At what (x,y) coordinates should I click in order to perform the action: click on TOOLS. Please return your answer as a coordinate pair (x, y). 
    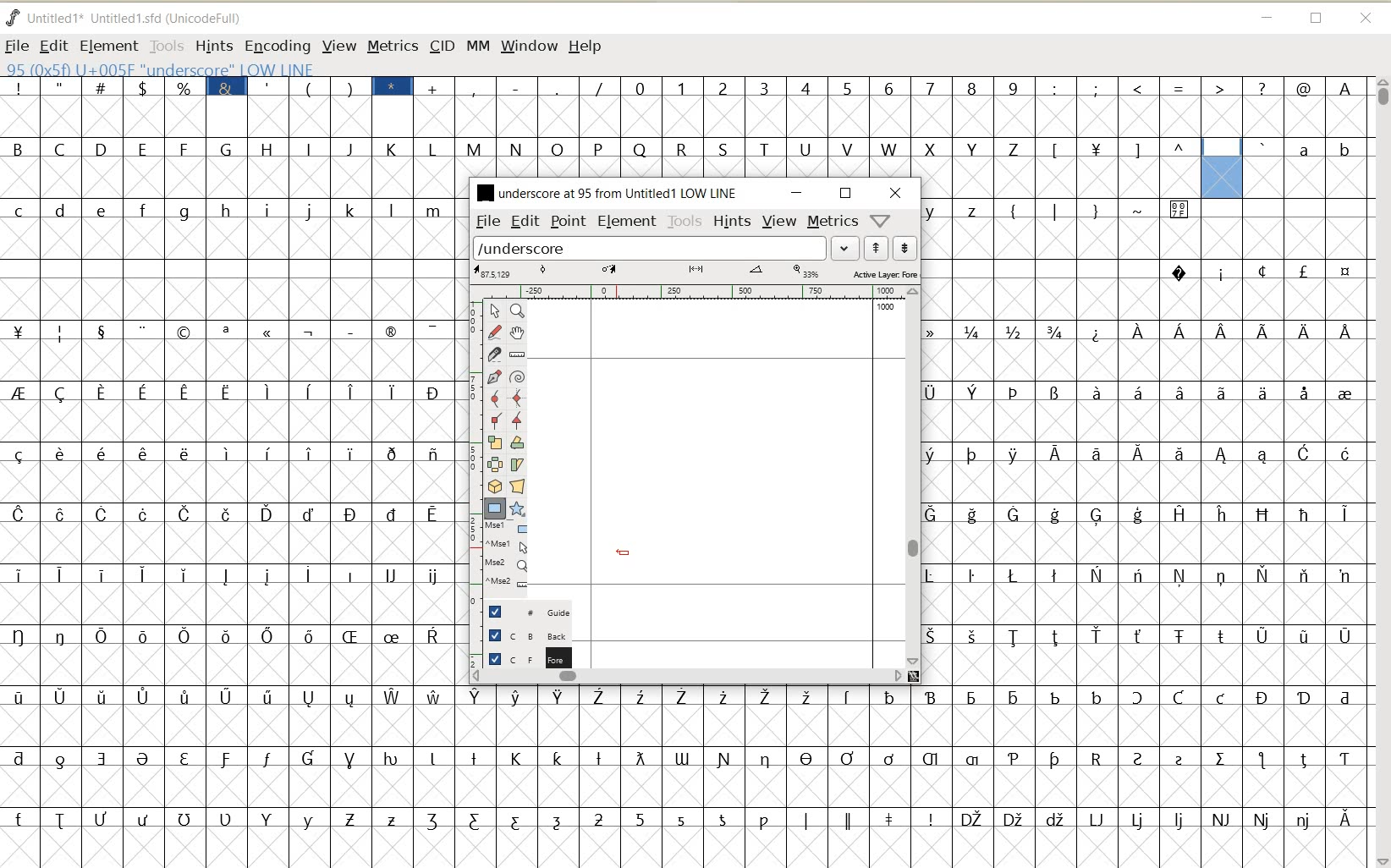
    Looking at the image, I should click on (165, 45).